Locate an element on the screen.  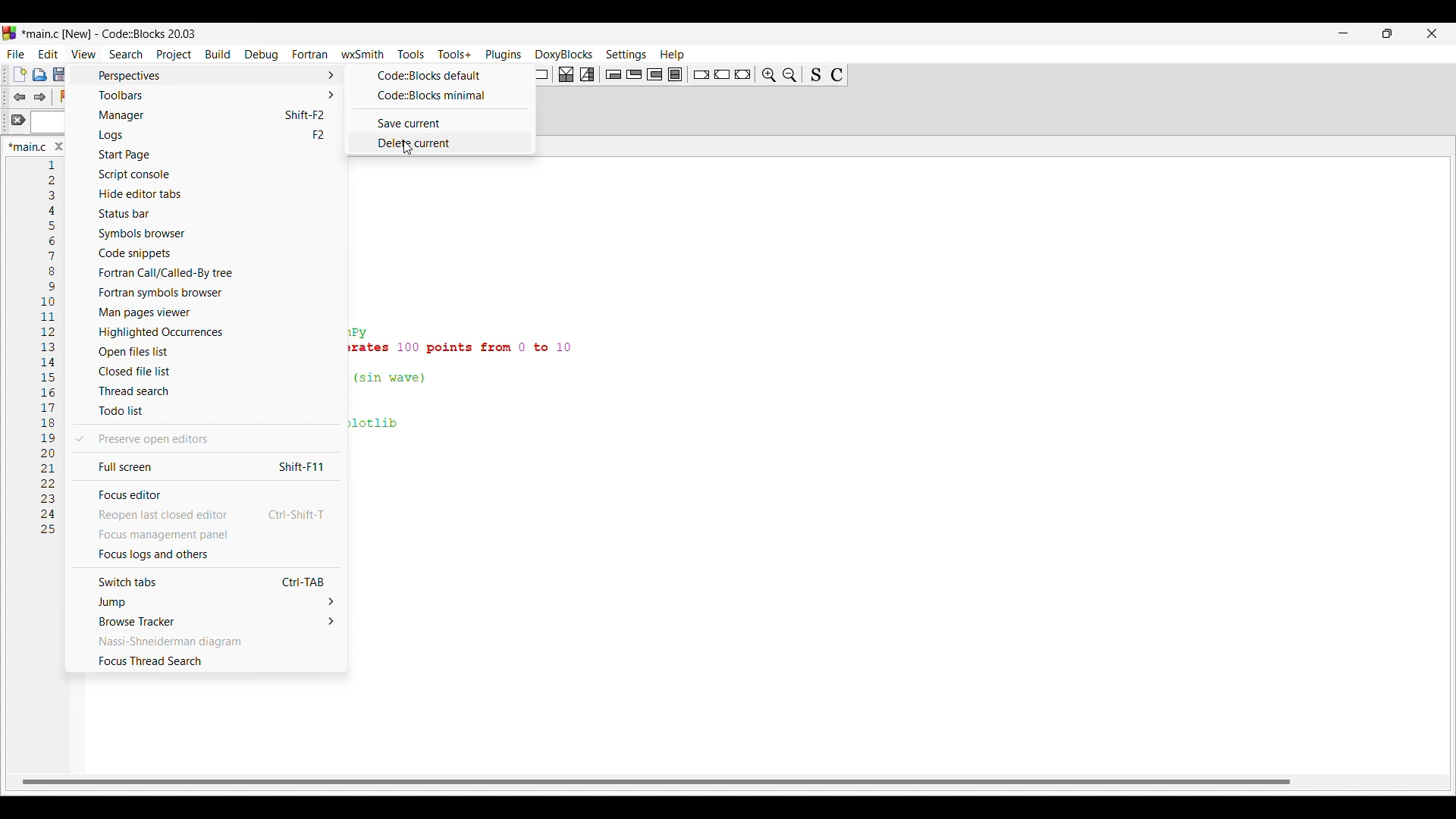
Save current view is located at coordinates (438, 123).